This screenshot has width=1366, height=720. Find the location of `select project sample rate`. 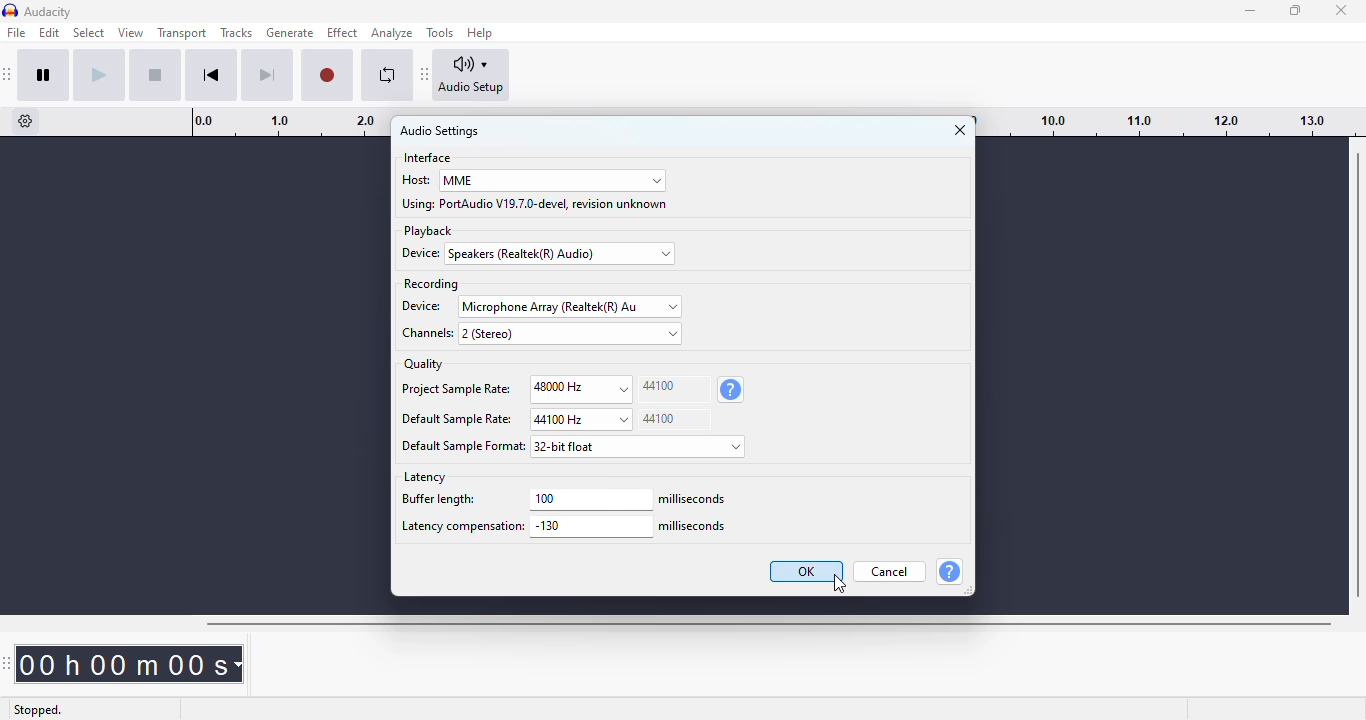

select project sample rate is located at coordinates (581, 389).